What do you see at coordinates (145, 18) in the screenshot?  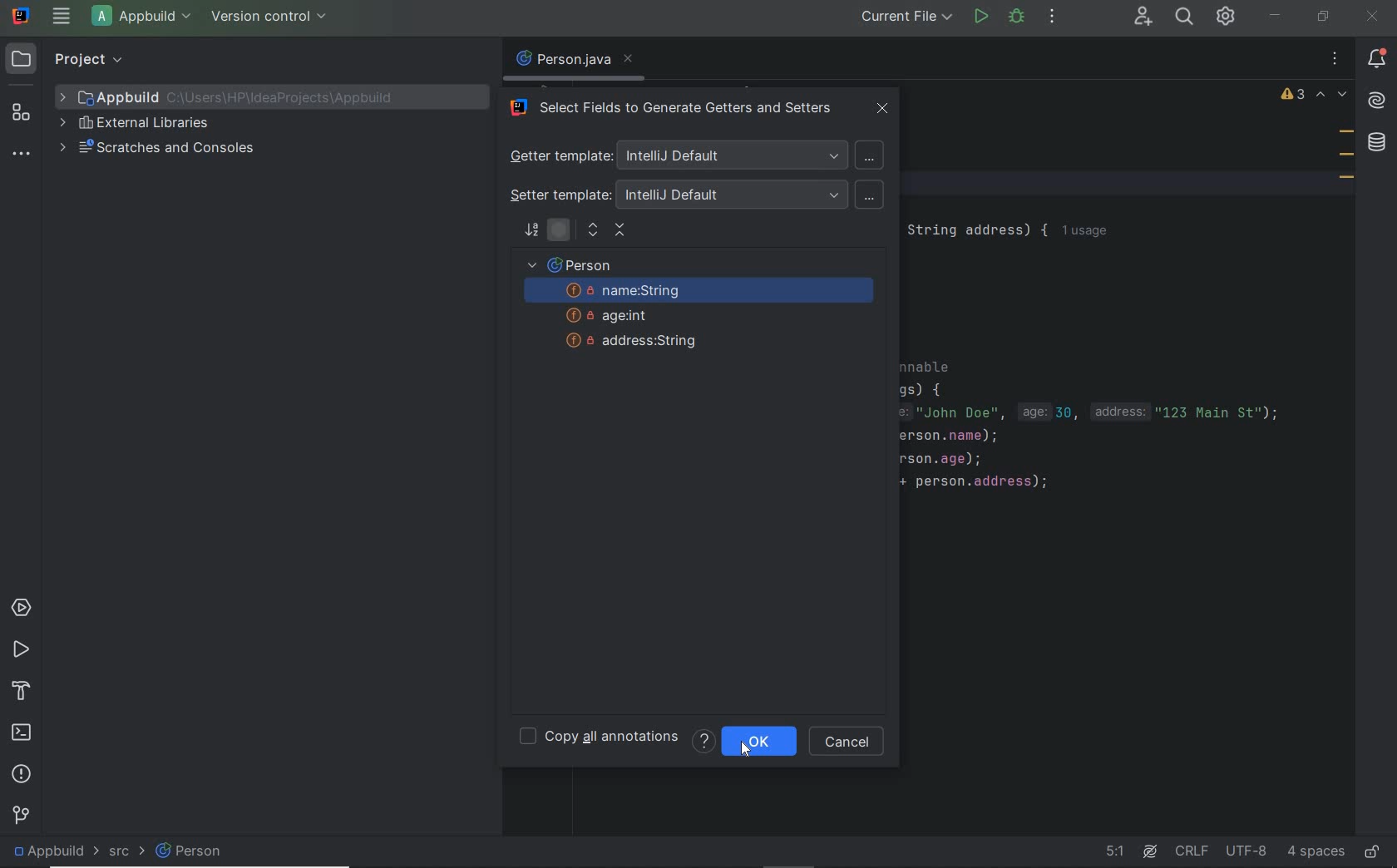 I see `project file name` at bounding box center [145, 18].